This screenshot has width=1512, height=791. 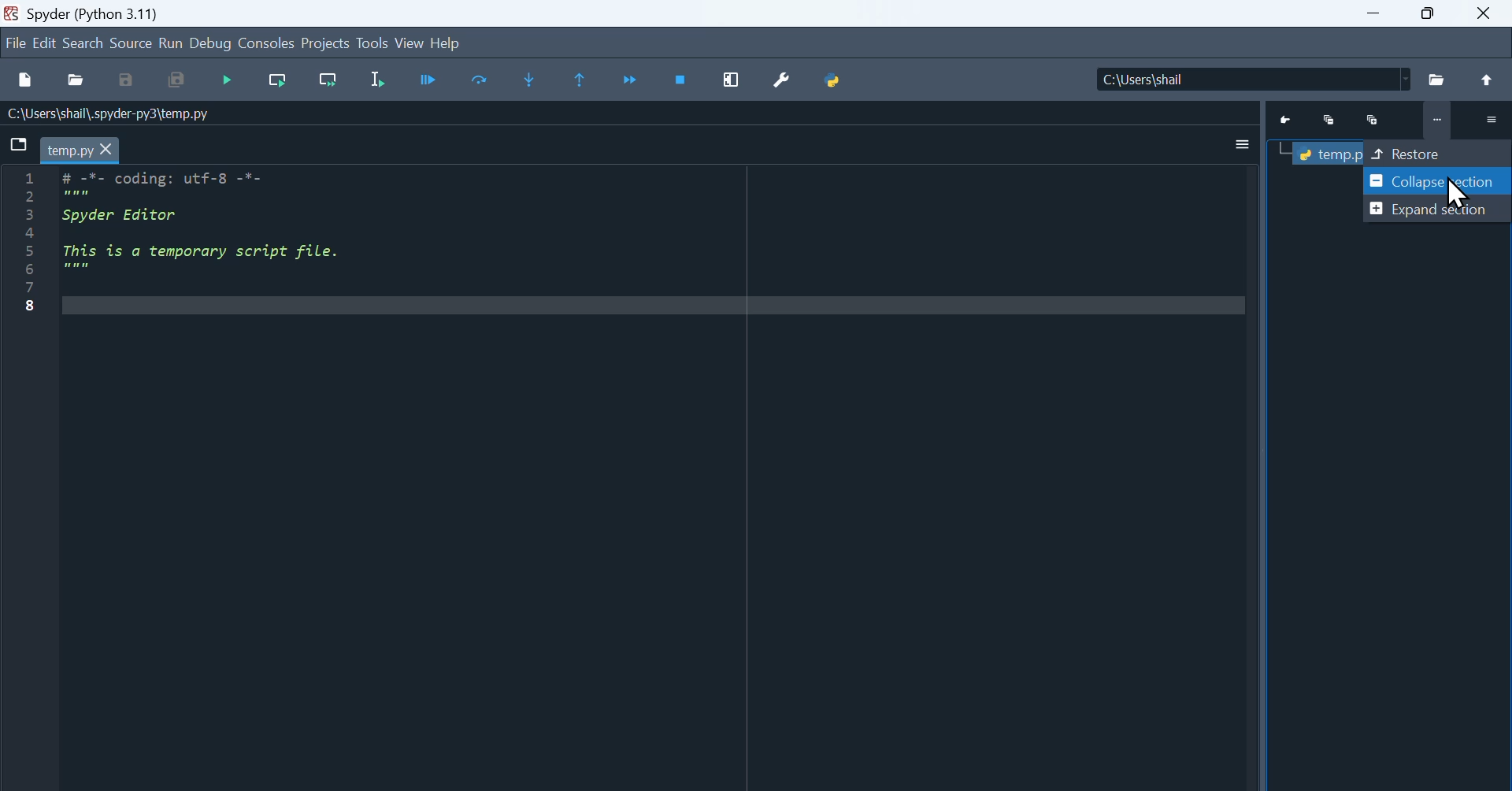 What do you see at coordinates (225, 224) in the screenshot?
I see `Code` at bounding box center [225, 224].